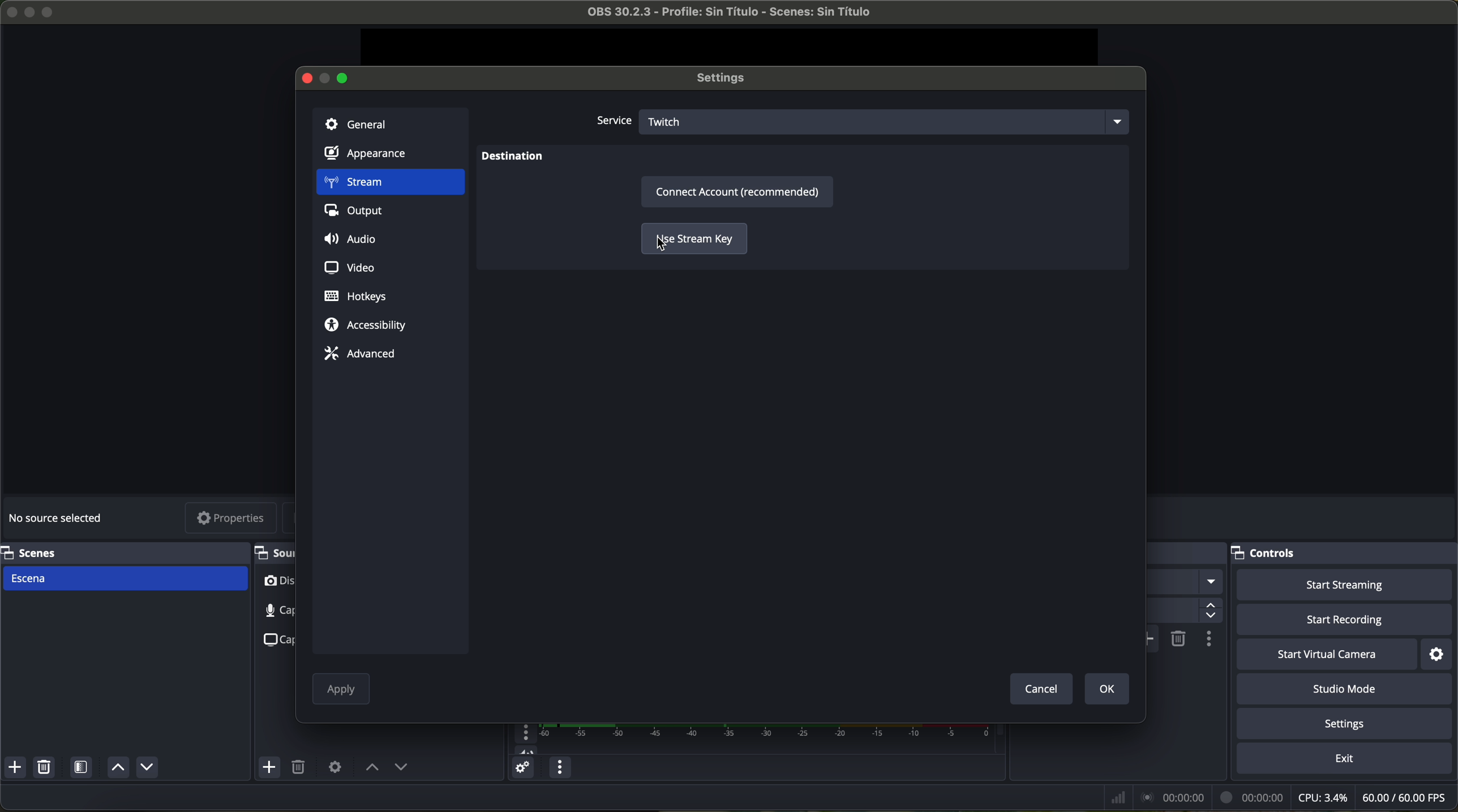 The height and width of the screenshot is (812, 1458). Describe the element at coordinates (302, 77) in the screenshot. I see `close window` at that location.